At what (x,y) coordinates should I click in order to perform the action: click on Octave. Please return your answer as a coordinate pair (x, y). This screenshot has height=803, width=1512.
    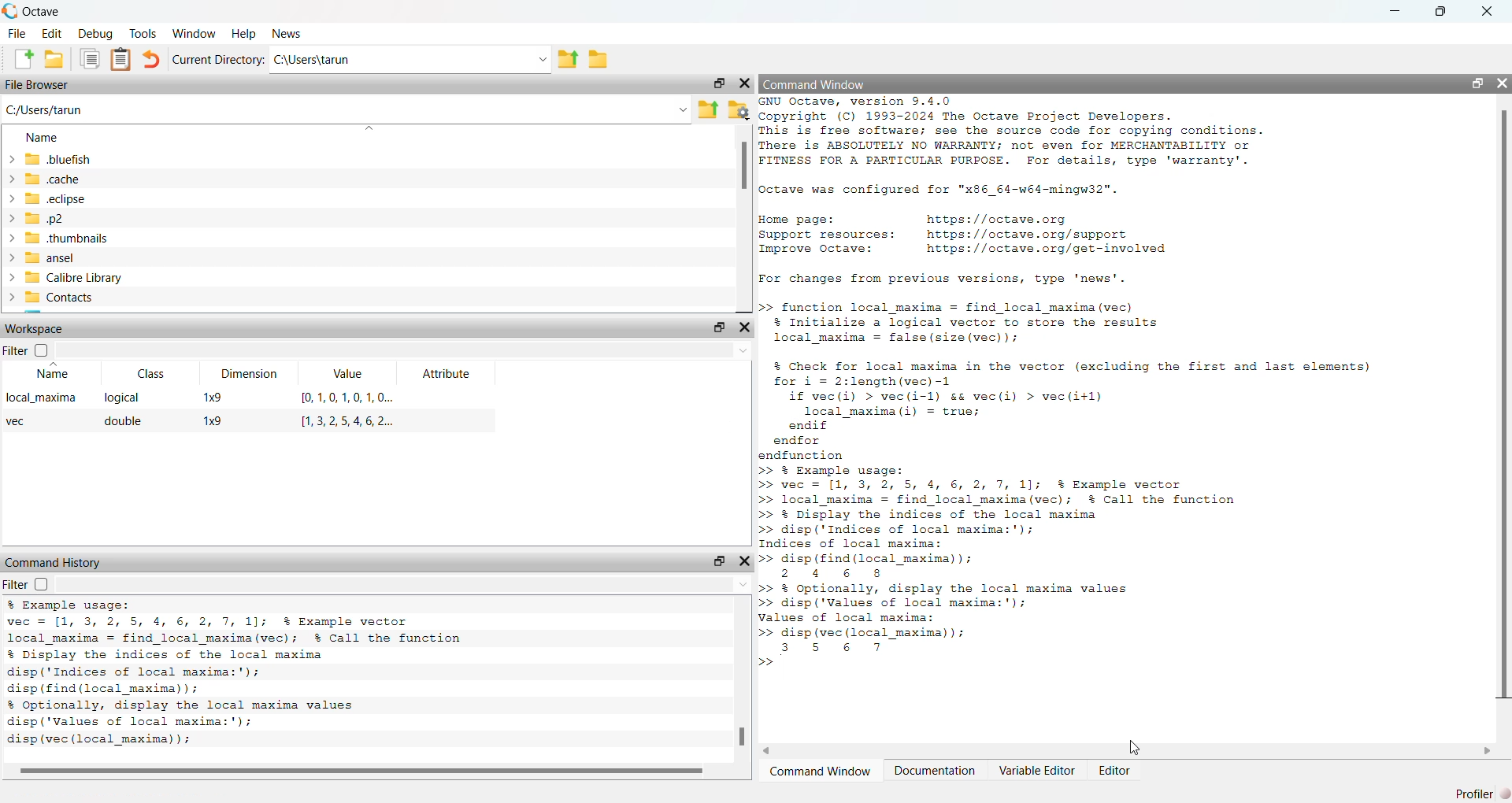
    Looking at the image, I should click on (42, 12).